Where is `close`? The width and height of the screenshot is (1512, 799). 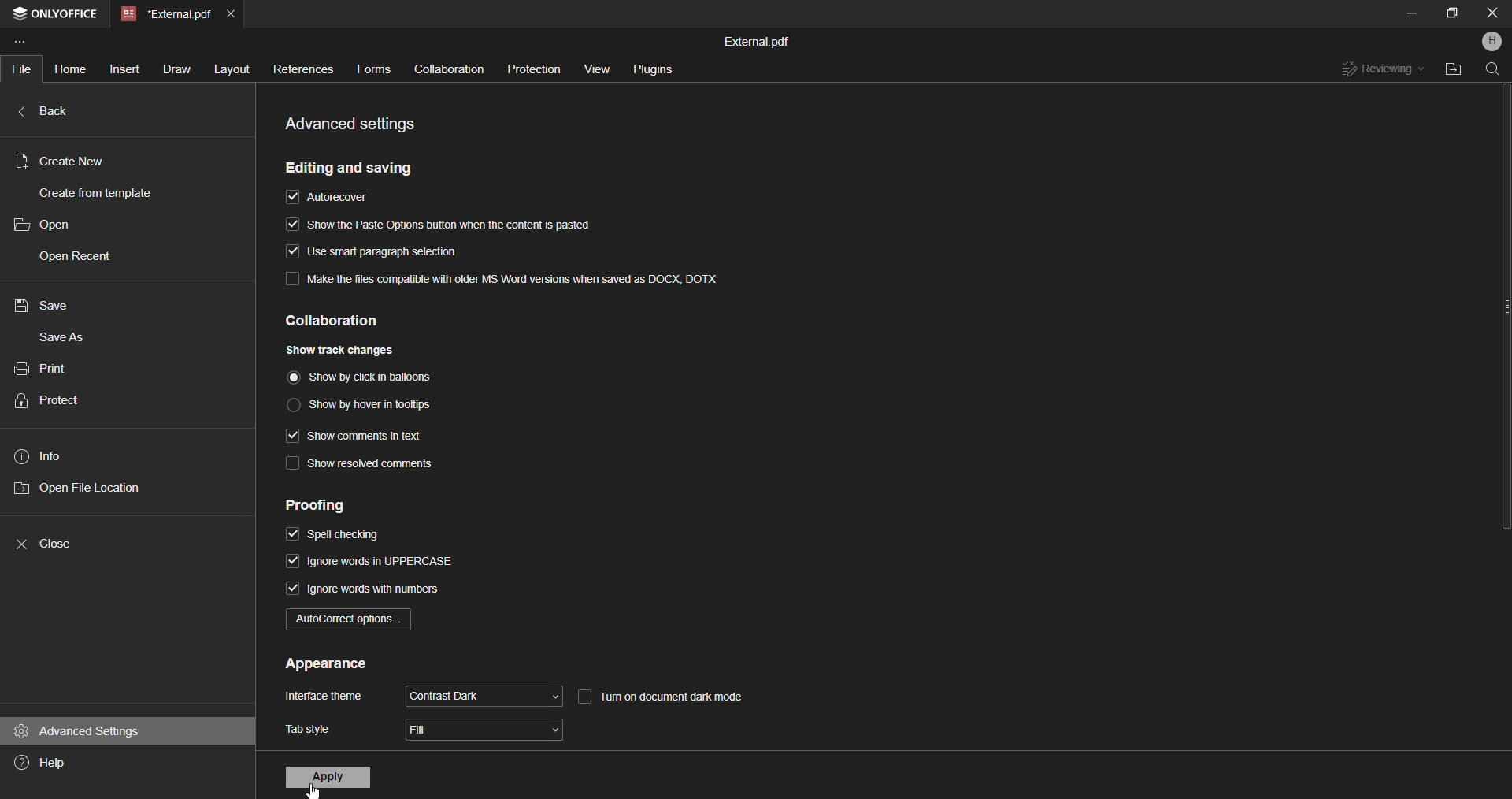 close is located at coordinates (57, 541).